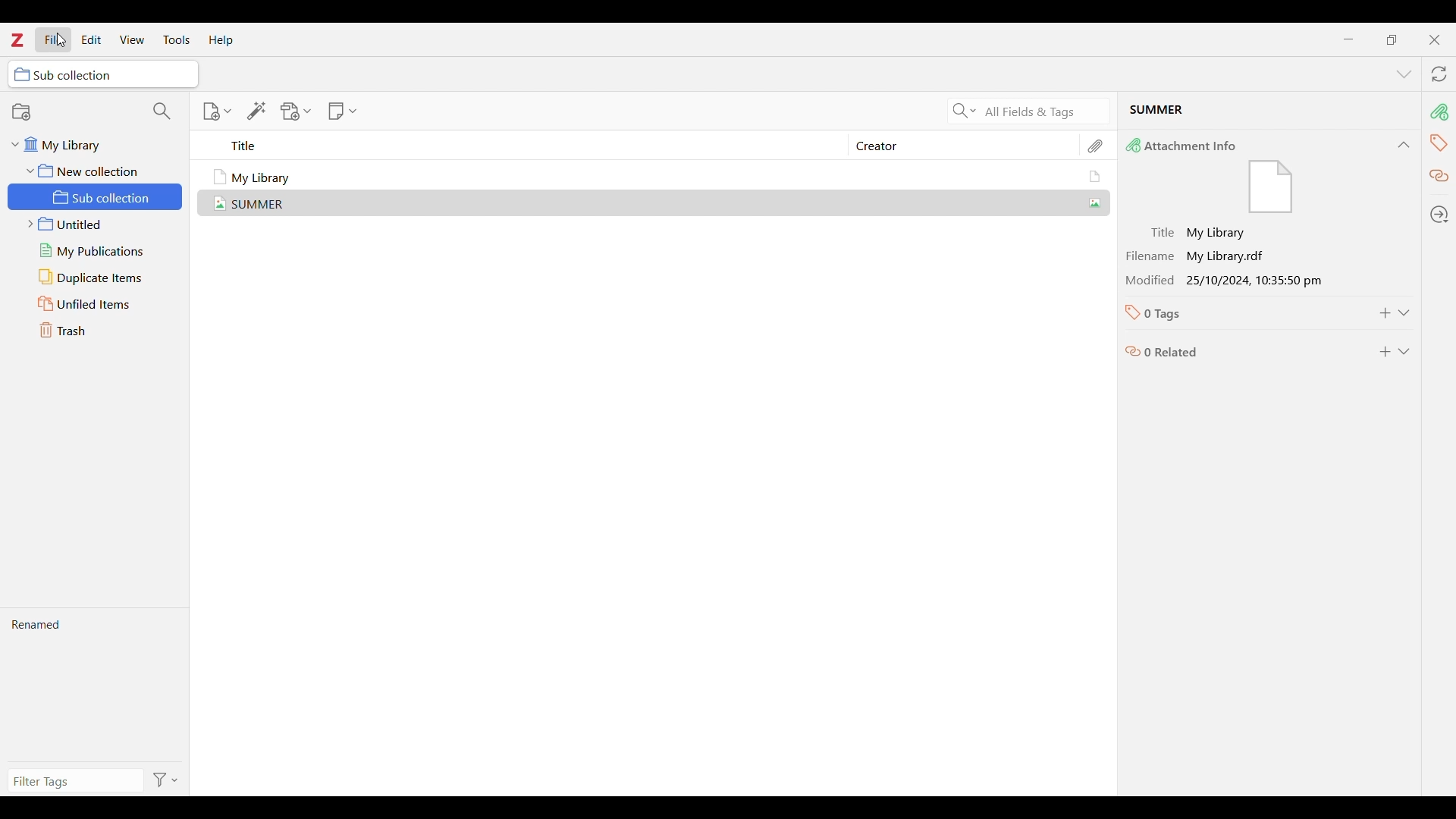 This screenshot has height=819, width=1456. I want to click on Search criteria , so click(964, 111).